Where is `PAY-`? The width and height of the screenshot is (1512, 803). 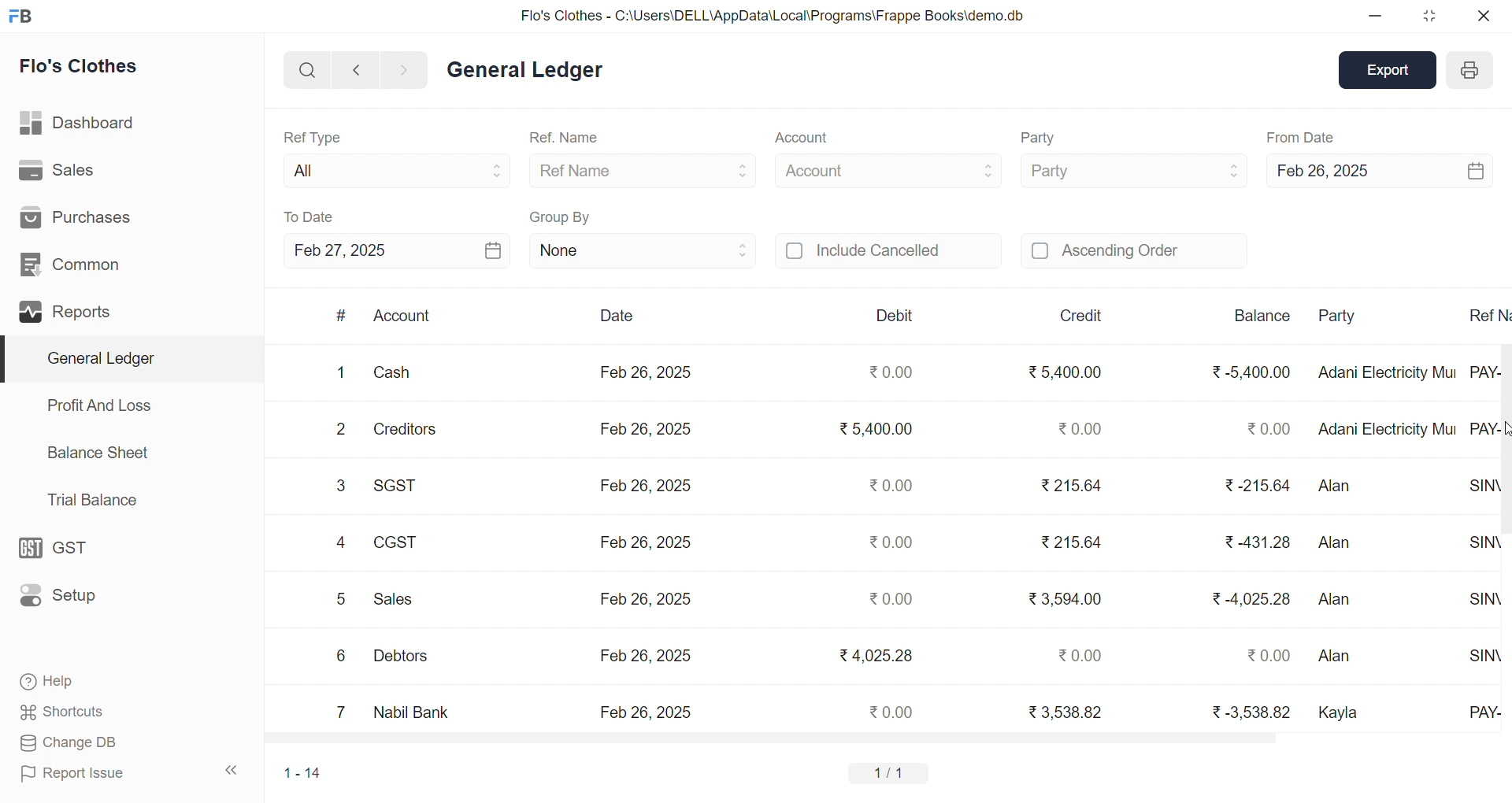 PAY- is located at coordinates (1473, 712).